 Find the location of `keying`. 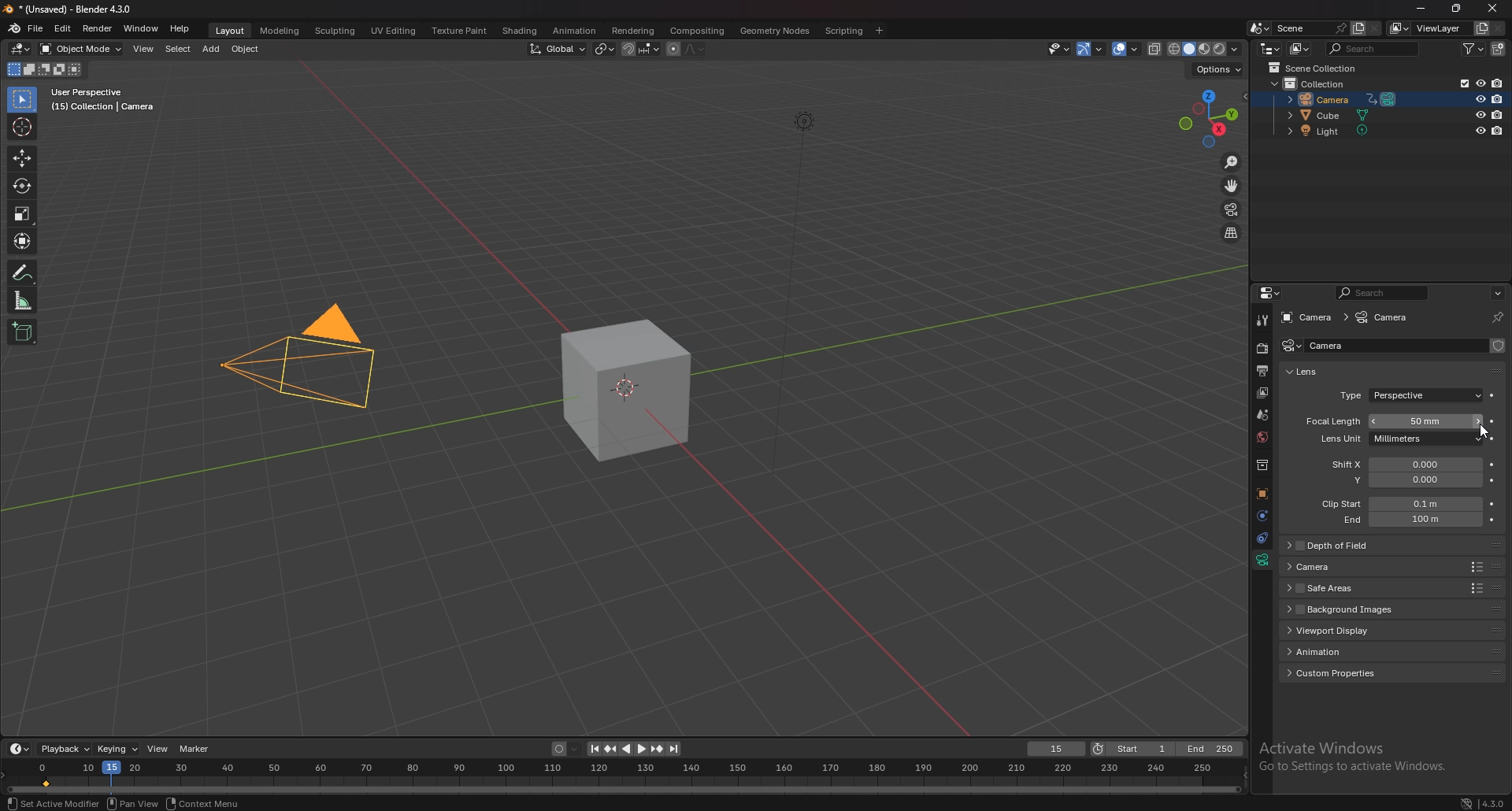

keying is located at coordinates (118, 749).